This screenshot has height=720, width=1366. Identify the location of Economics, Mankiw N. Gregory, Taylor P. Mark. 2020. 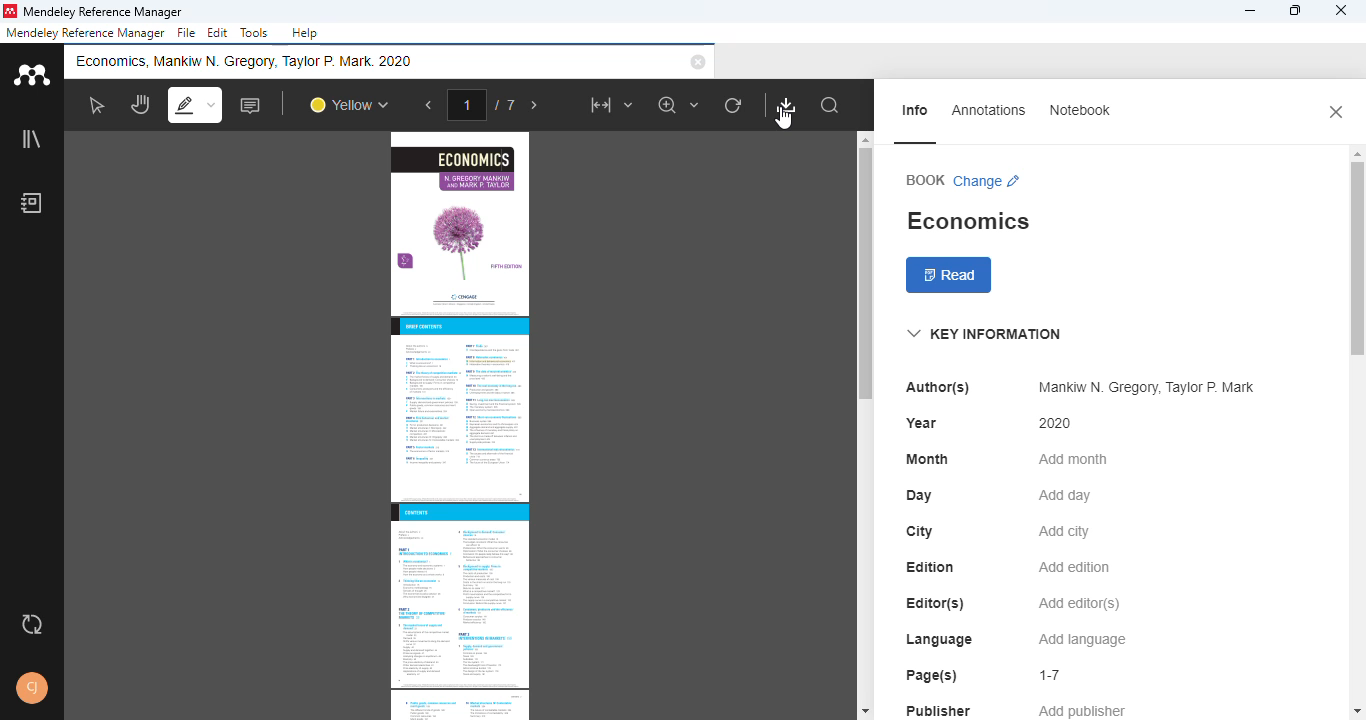
(252, 61).